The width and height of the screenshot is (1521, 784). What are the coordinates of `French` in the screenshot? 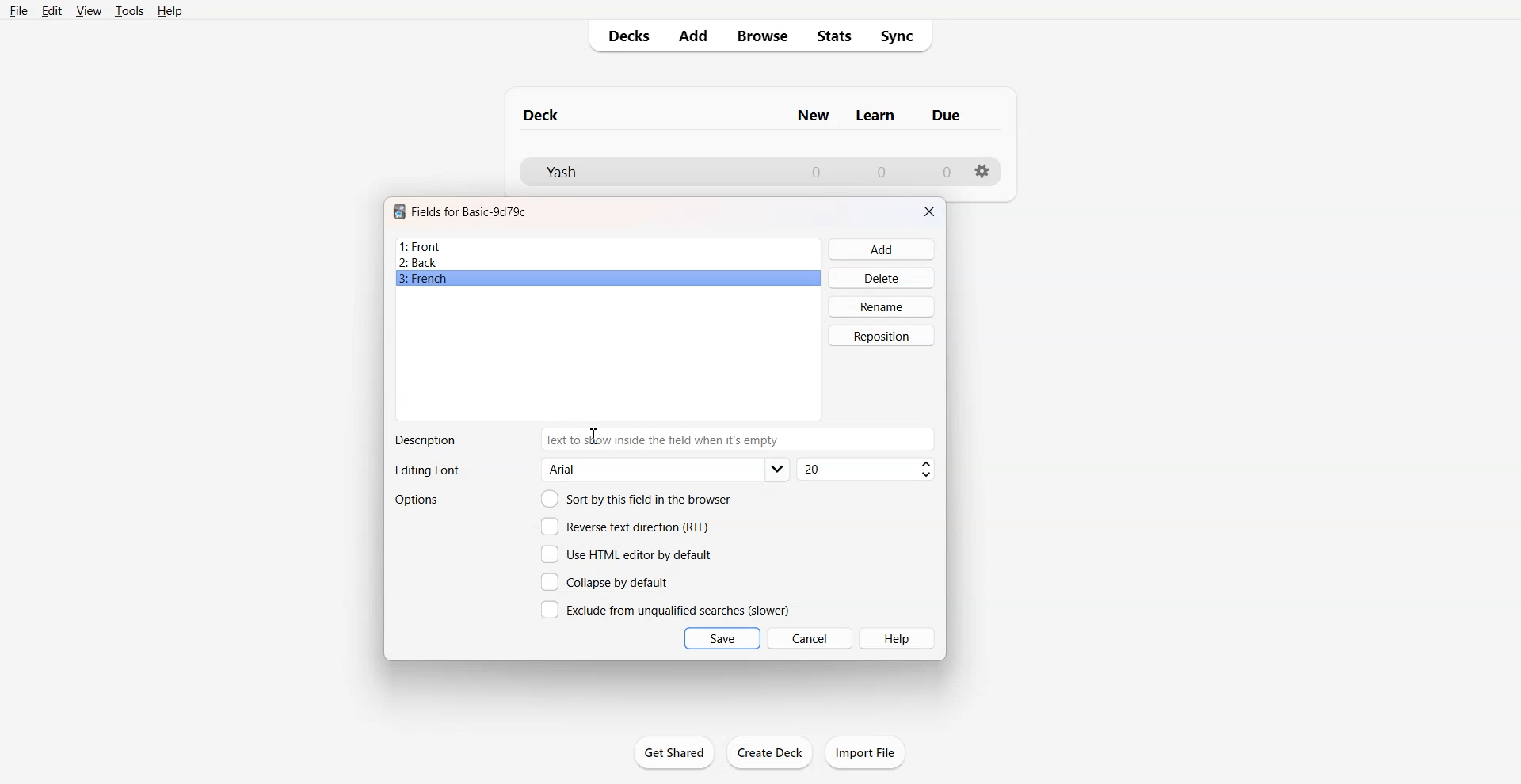 It's located at (608, 279).